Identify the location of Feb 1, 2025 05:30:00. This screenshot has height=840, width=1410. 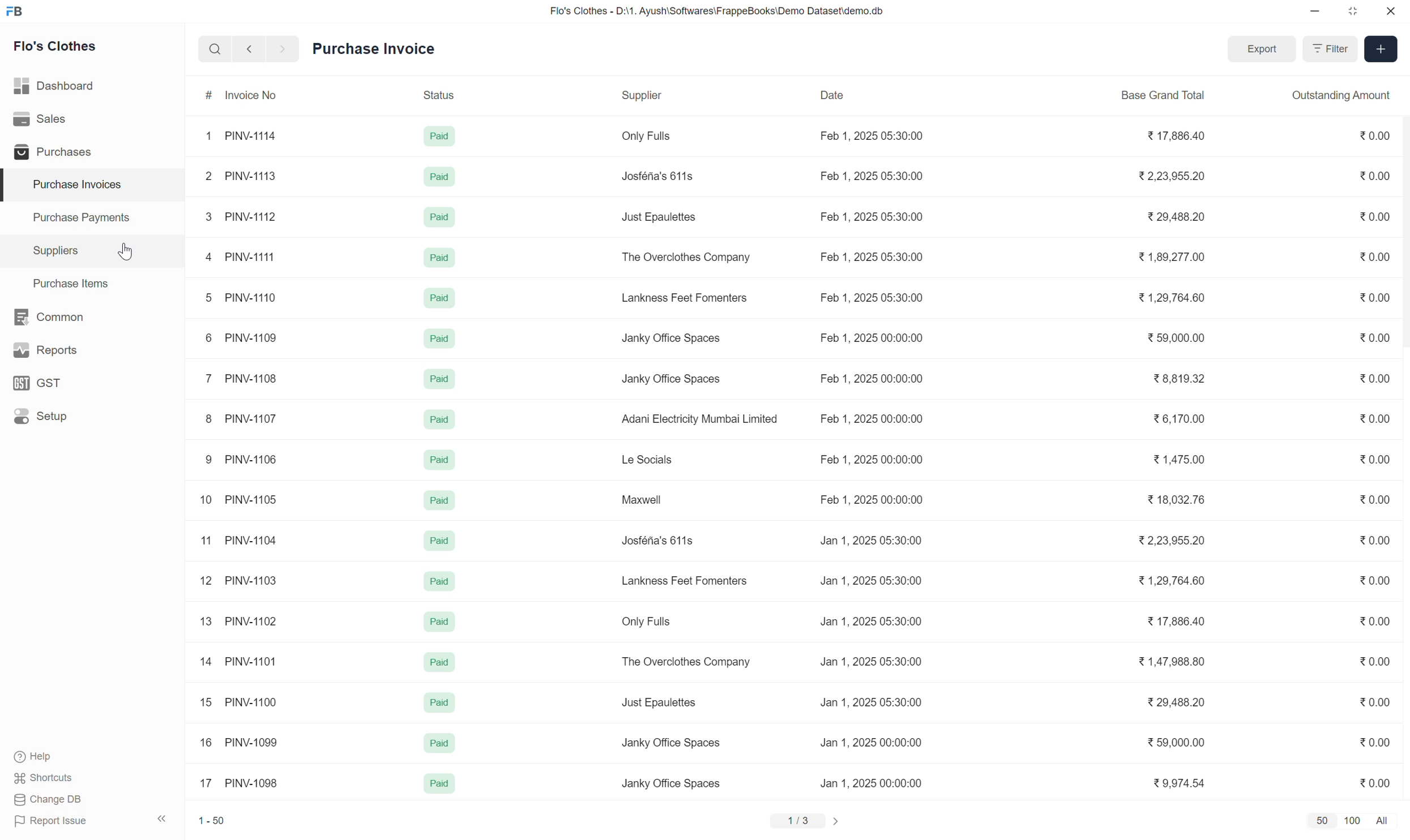
(871, 216).